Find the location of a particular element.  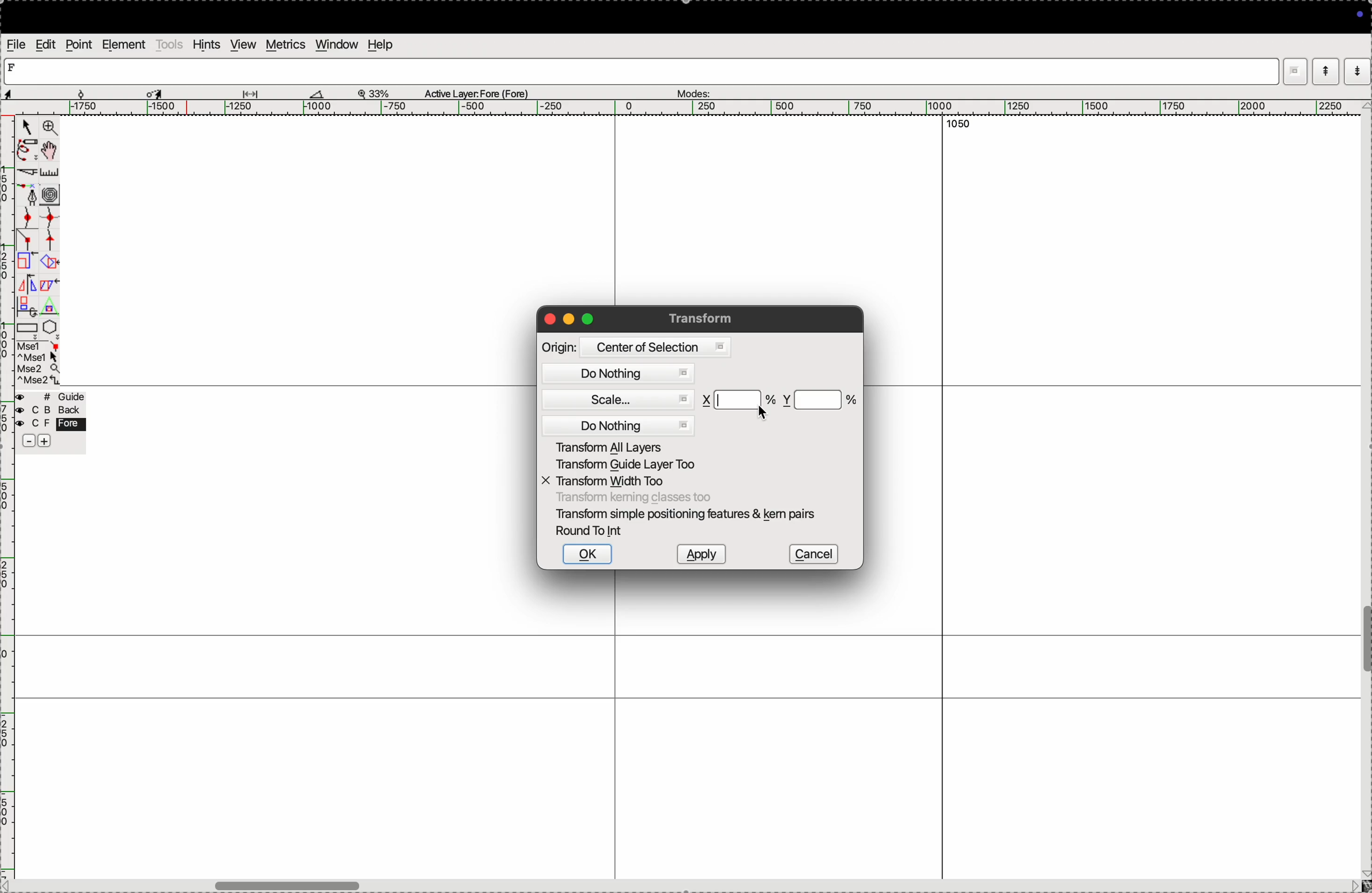

help is located at coordinates (379, 44).